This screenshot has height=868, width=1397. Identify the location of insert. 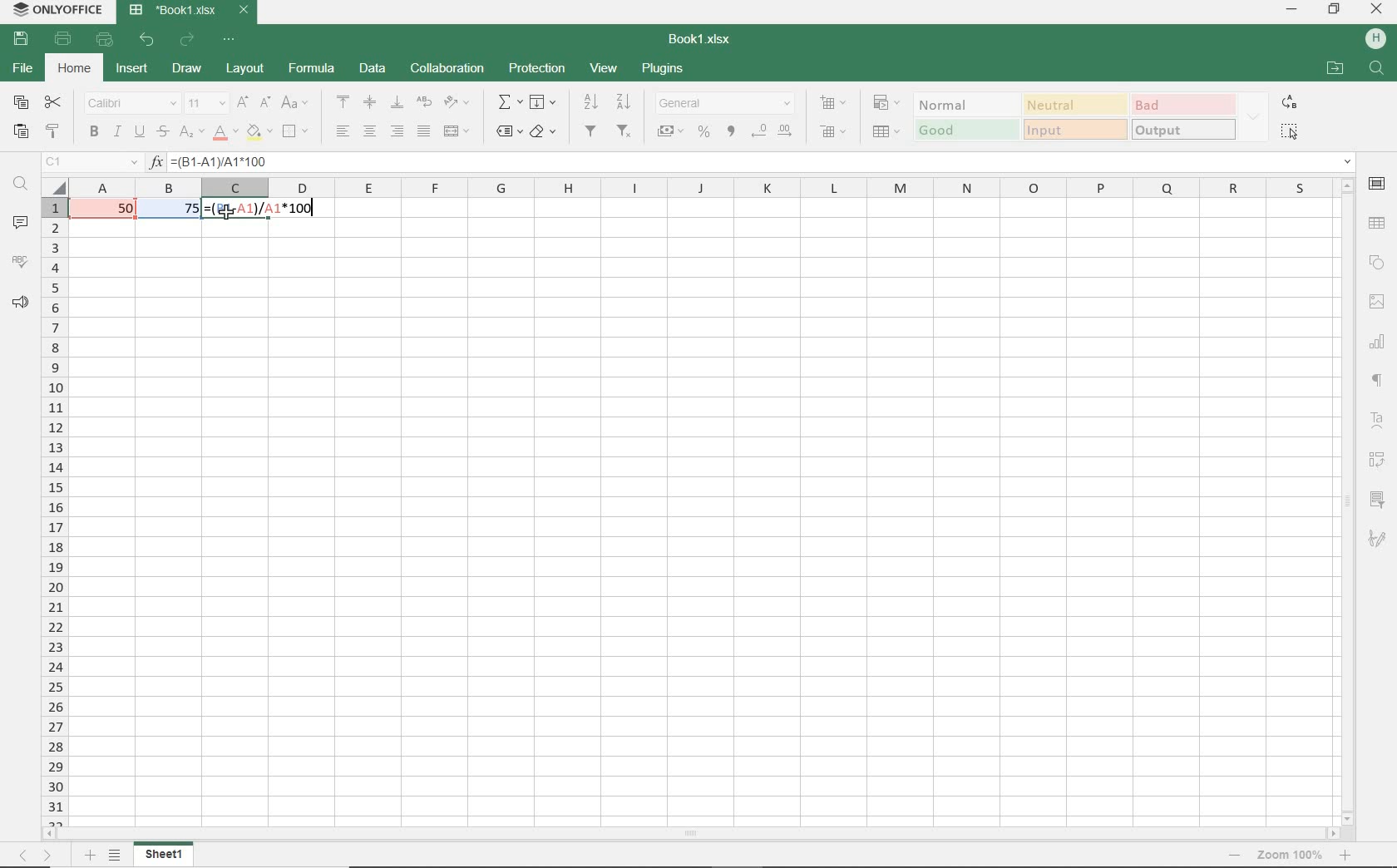
(132, 69).